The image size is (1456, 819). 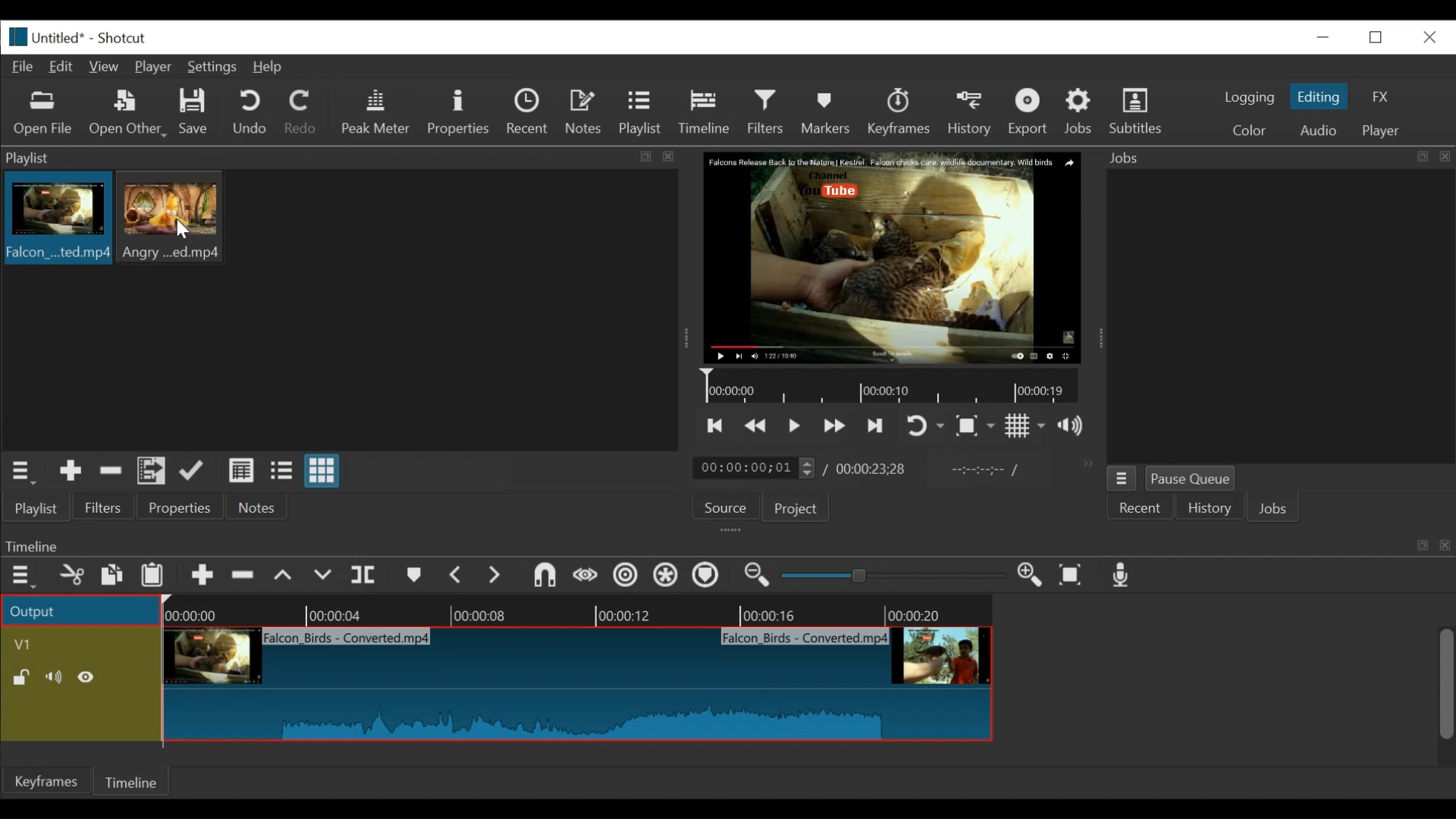 I want to click on play forward quickly, so click(x=836, y=428).